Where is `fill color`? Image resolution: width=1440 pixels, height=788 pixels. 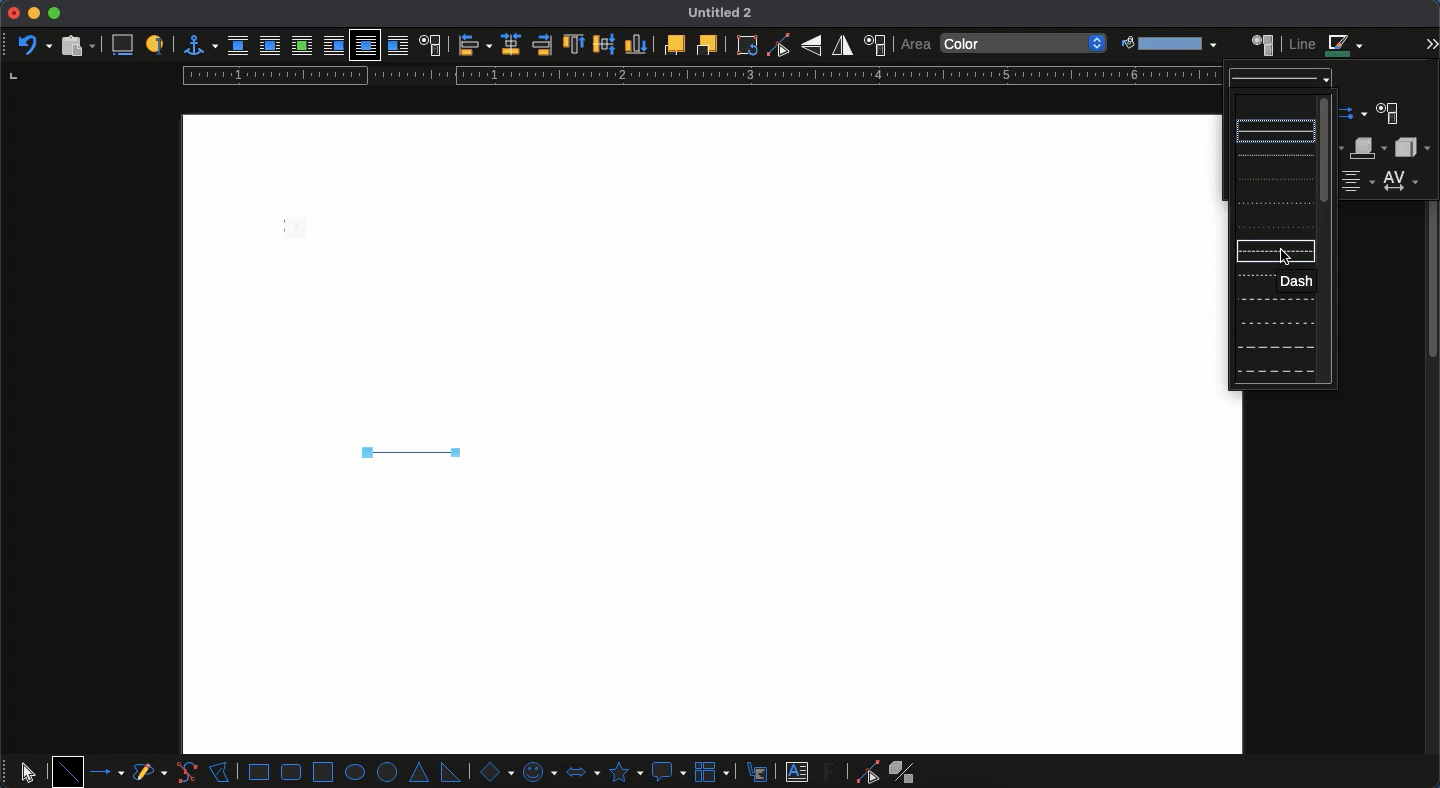 fill color is located at coordinates (1167, 44).